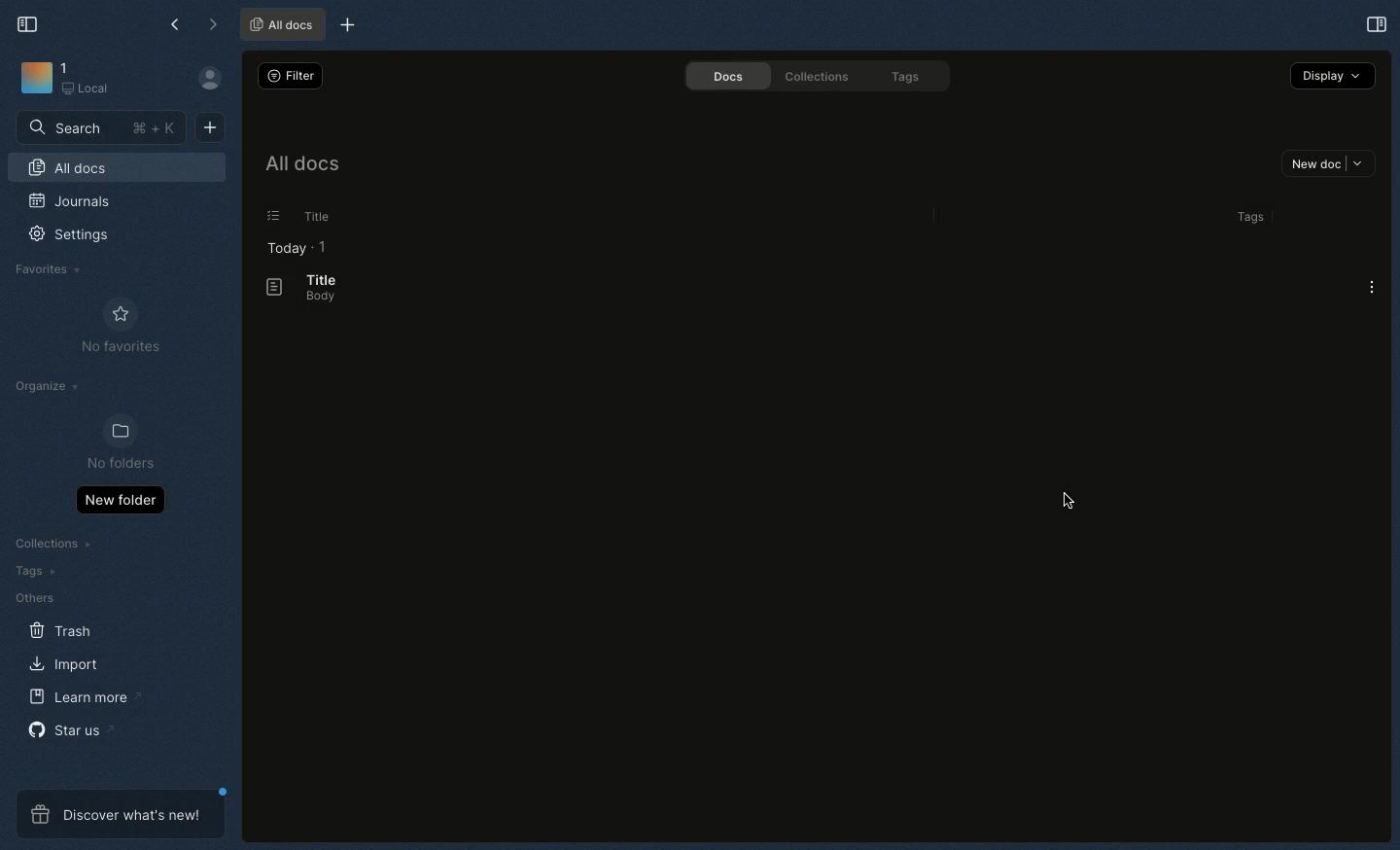  I want to click on Settings, so click(80, 241).